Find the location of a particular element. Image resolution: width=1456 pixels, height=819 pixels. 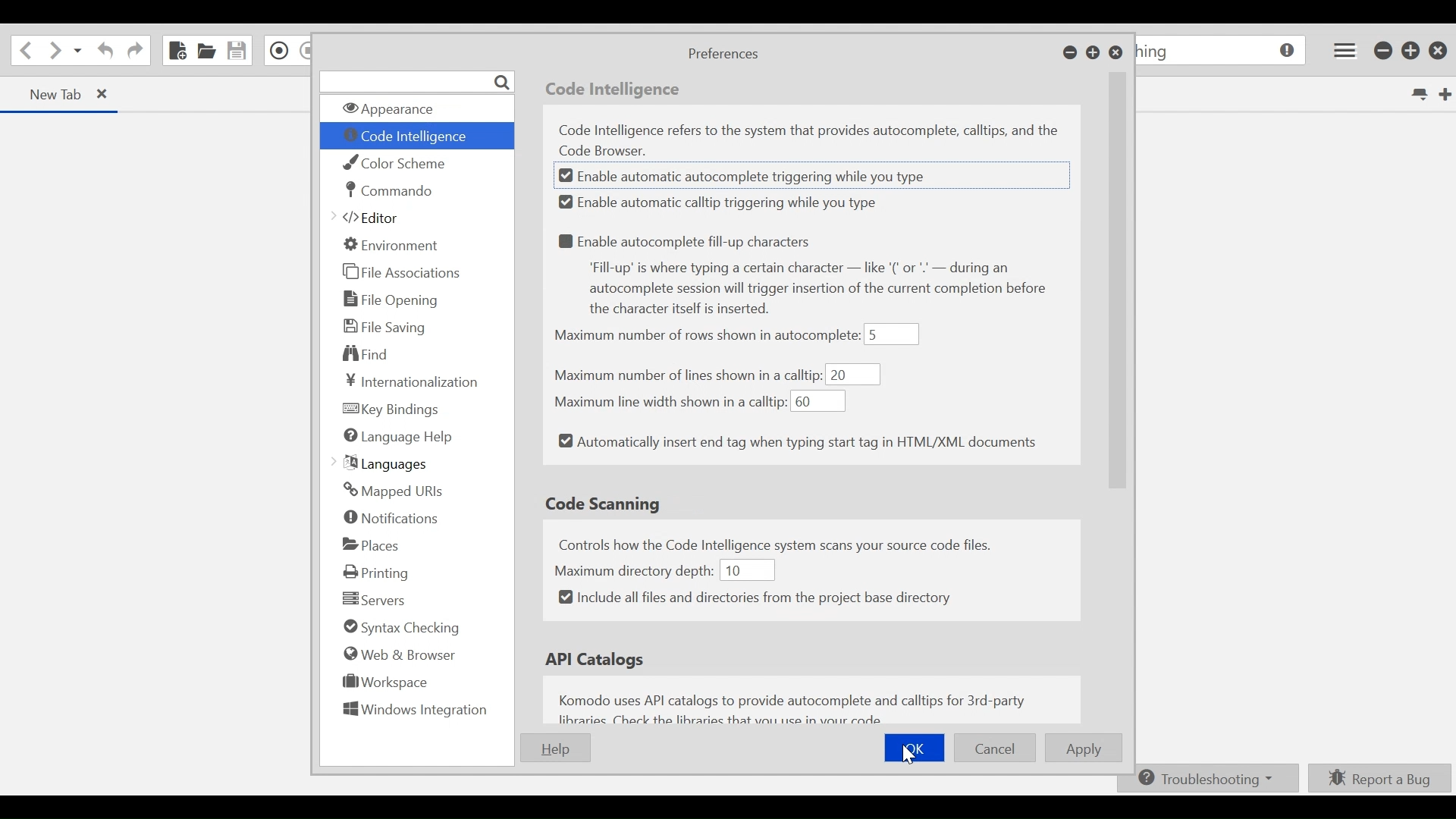

Enable autocomplete fill-up characters is located at coordinates (689, 240).